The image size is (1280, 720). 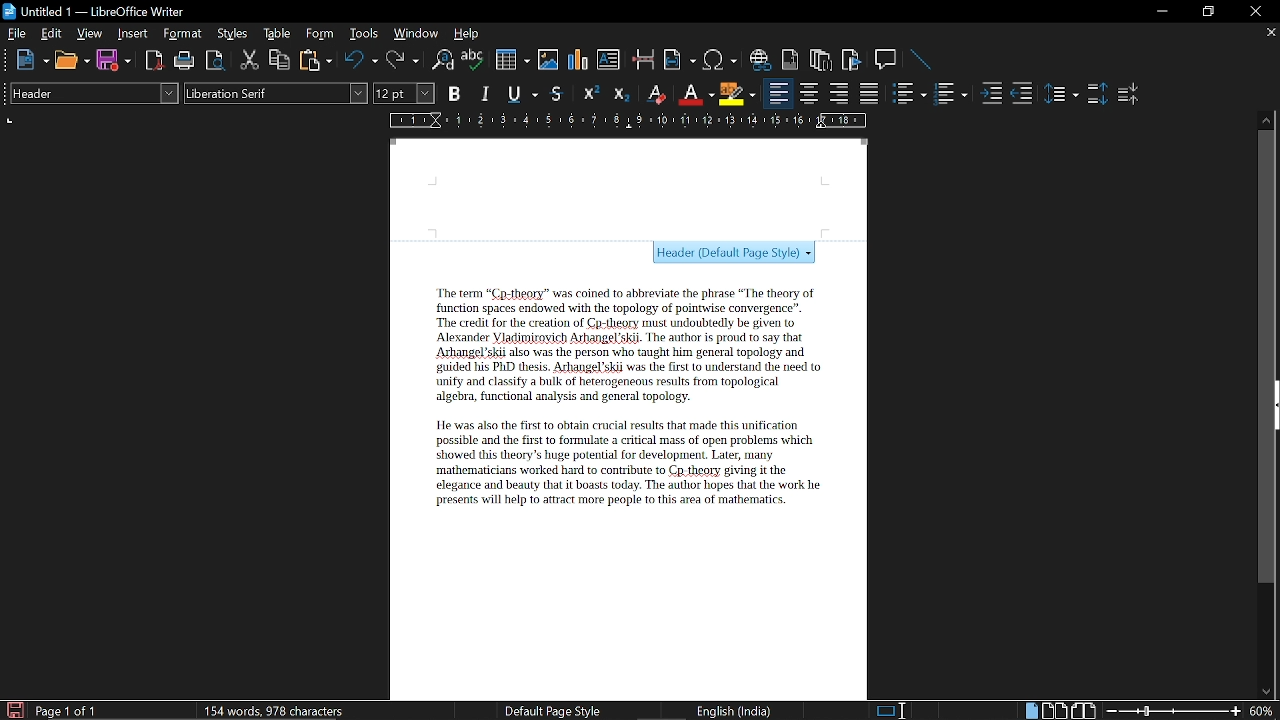 I want to click on view, so click(x=90, y=33).